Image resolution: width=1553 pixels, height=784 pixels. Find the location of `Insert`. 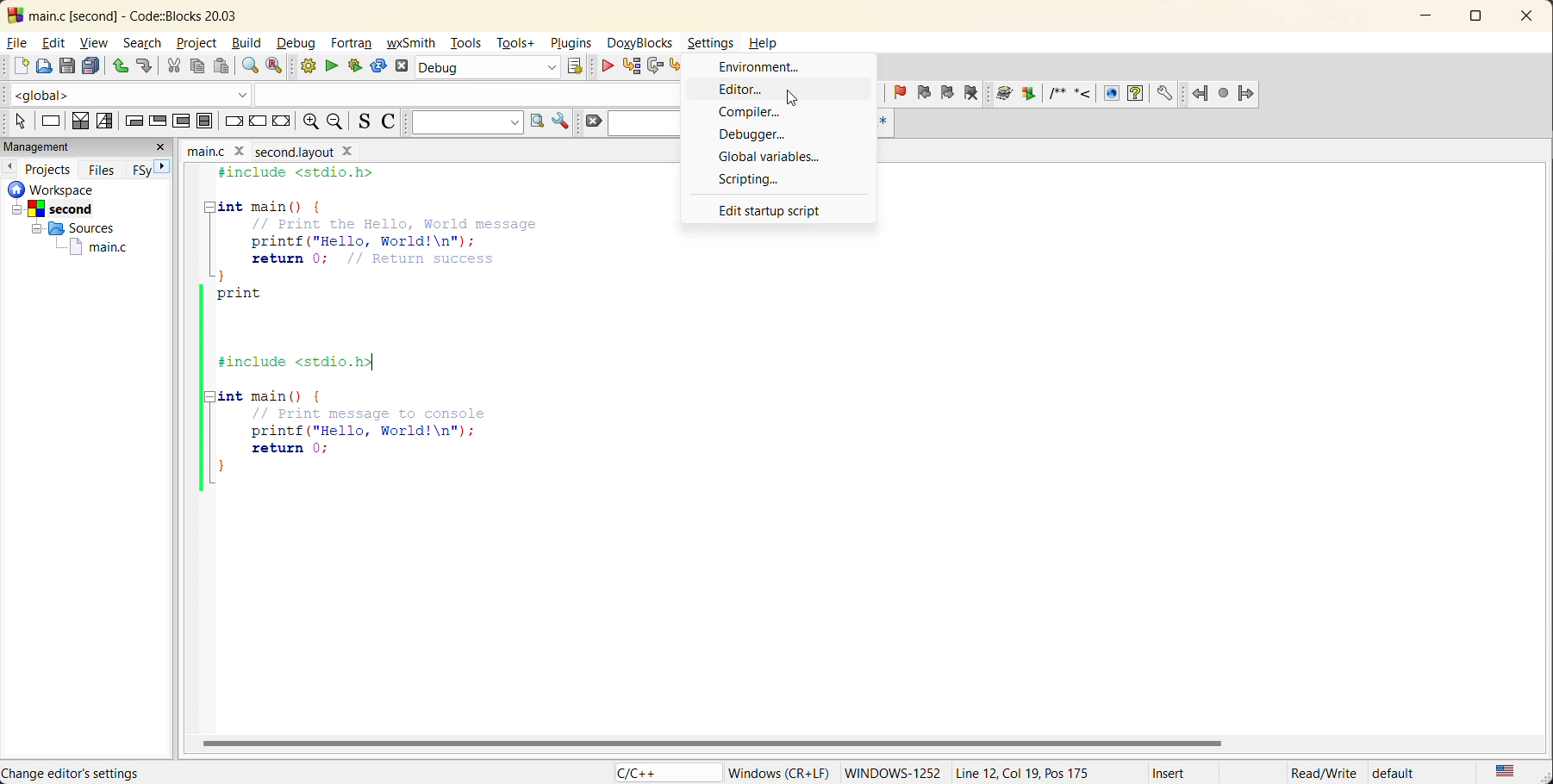

Insert is located at coordinates (1180, 770).